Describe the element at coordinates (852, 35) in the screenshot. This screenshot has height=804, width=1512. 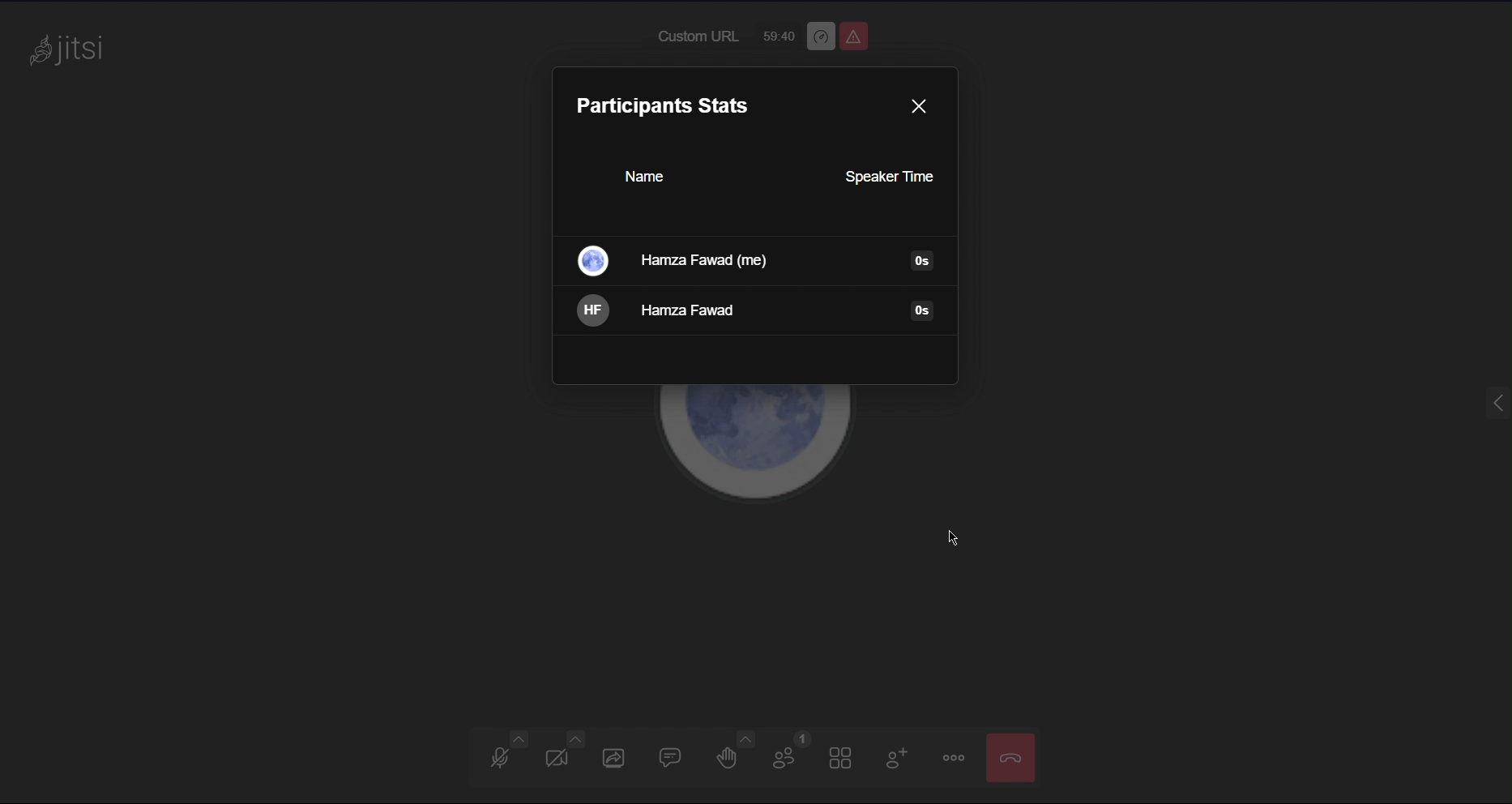
I see `Unsafe` at that location.